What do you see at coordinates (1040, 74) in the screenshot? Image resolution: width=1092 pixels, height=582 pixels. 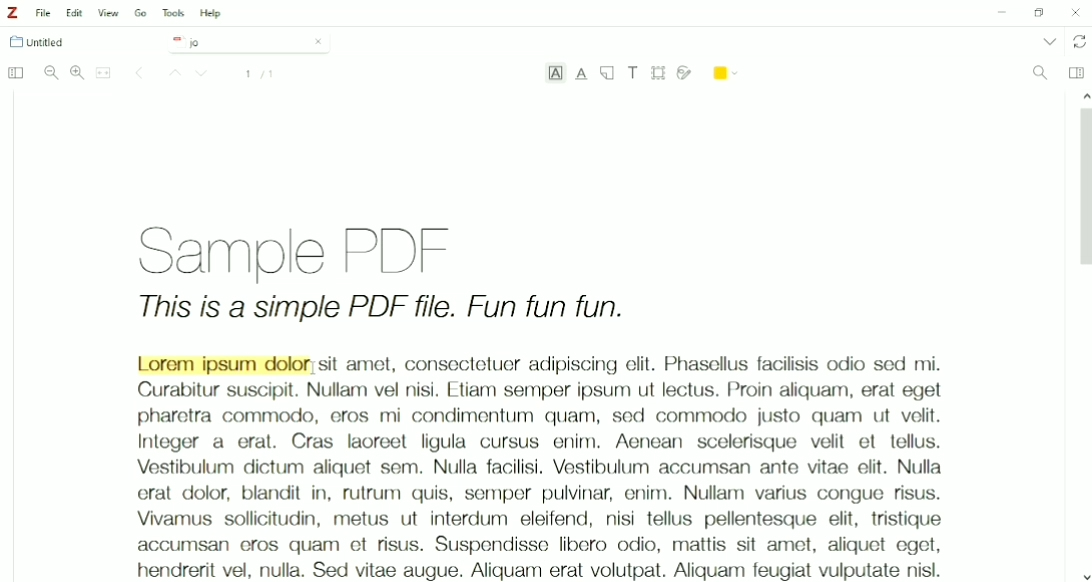 I see `Find In Document` at bounding box center [1040, 74].